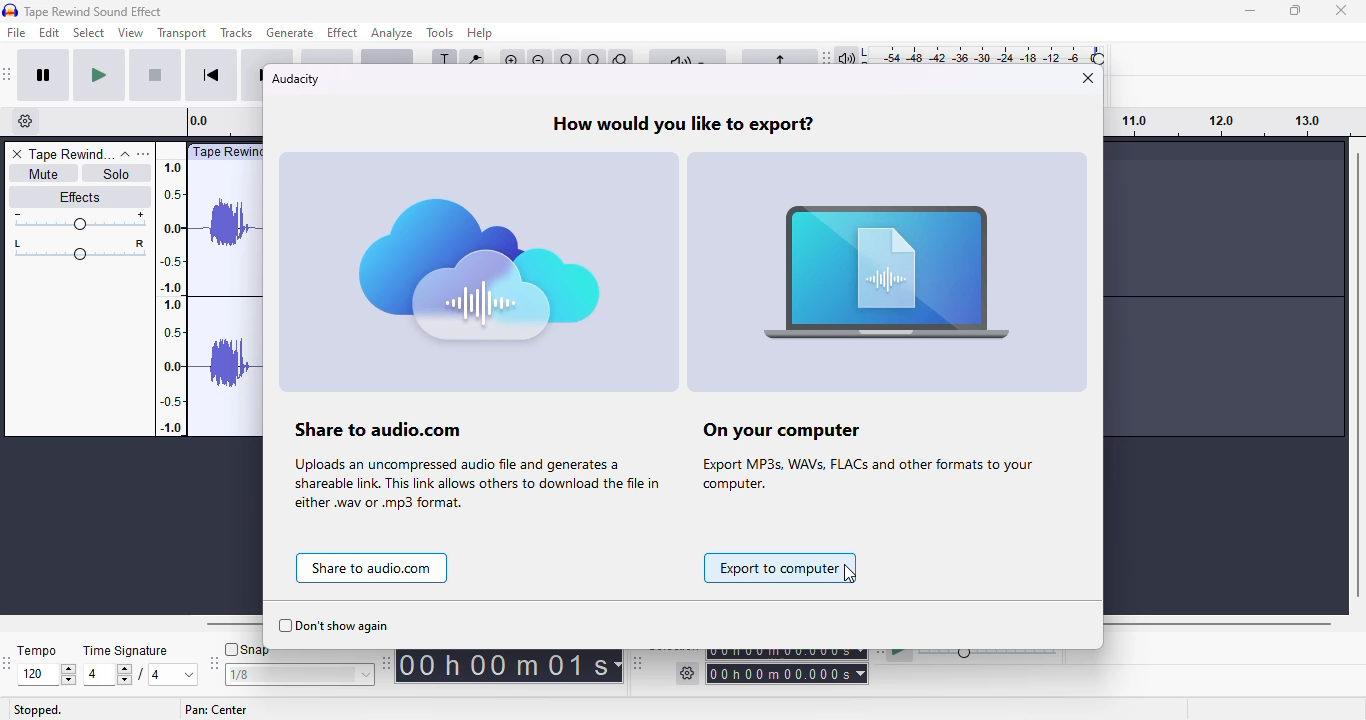  What do you see at coordinates (295, 79) in the screenshot?
I see `audacity` at bounding box center [295, 79].